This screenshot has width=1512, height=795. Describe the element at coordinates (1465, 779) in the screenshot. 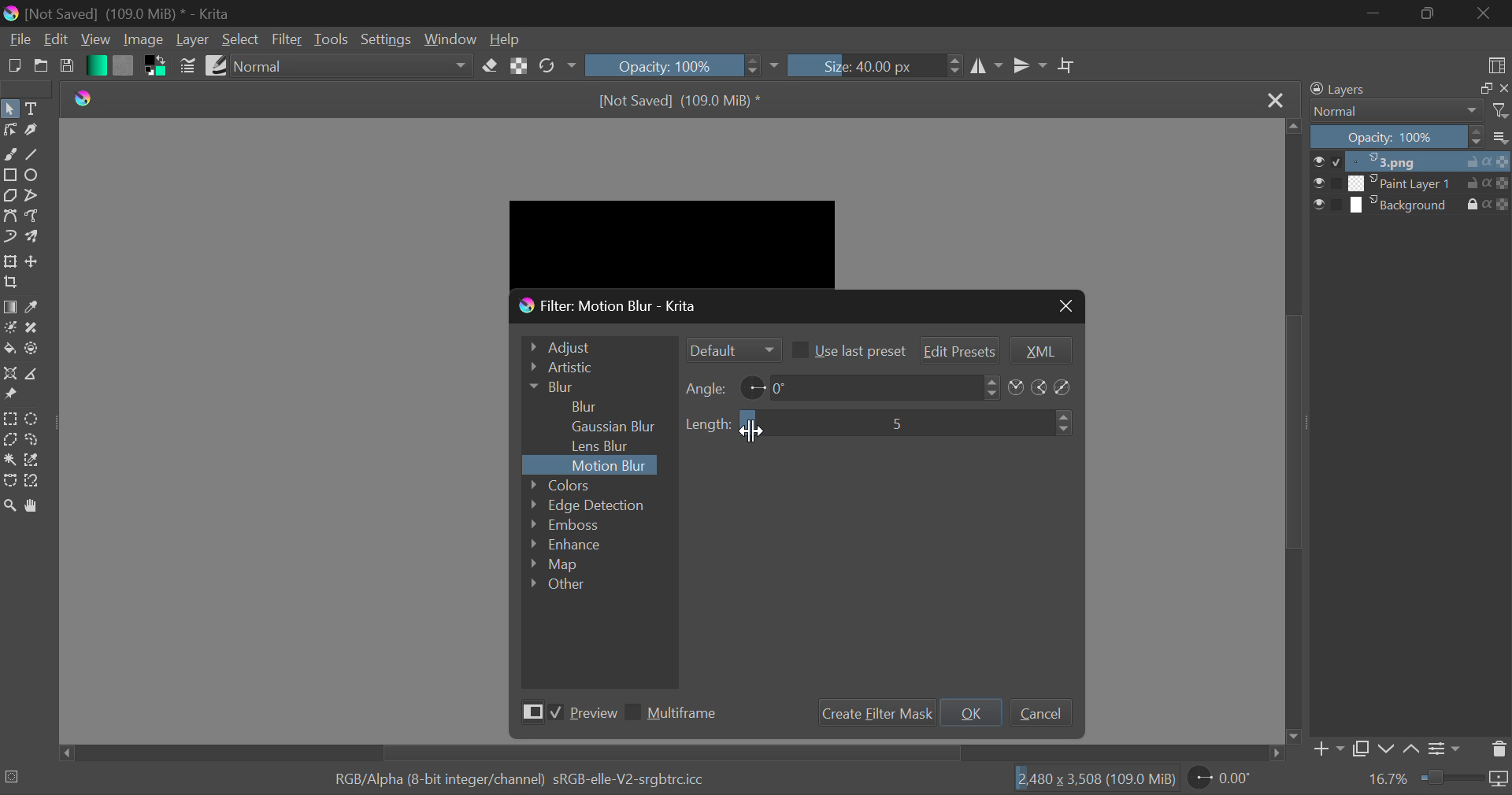

I see `zoom slider` at that location.